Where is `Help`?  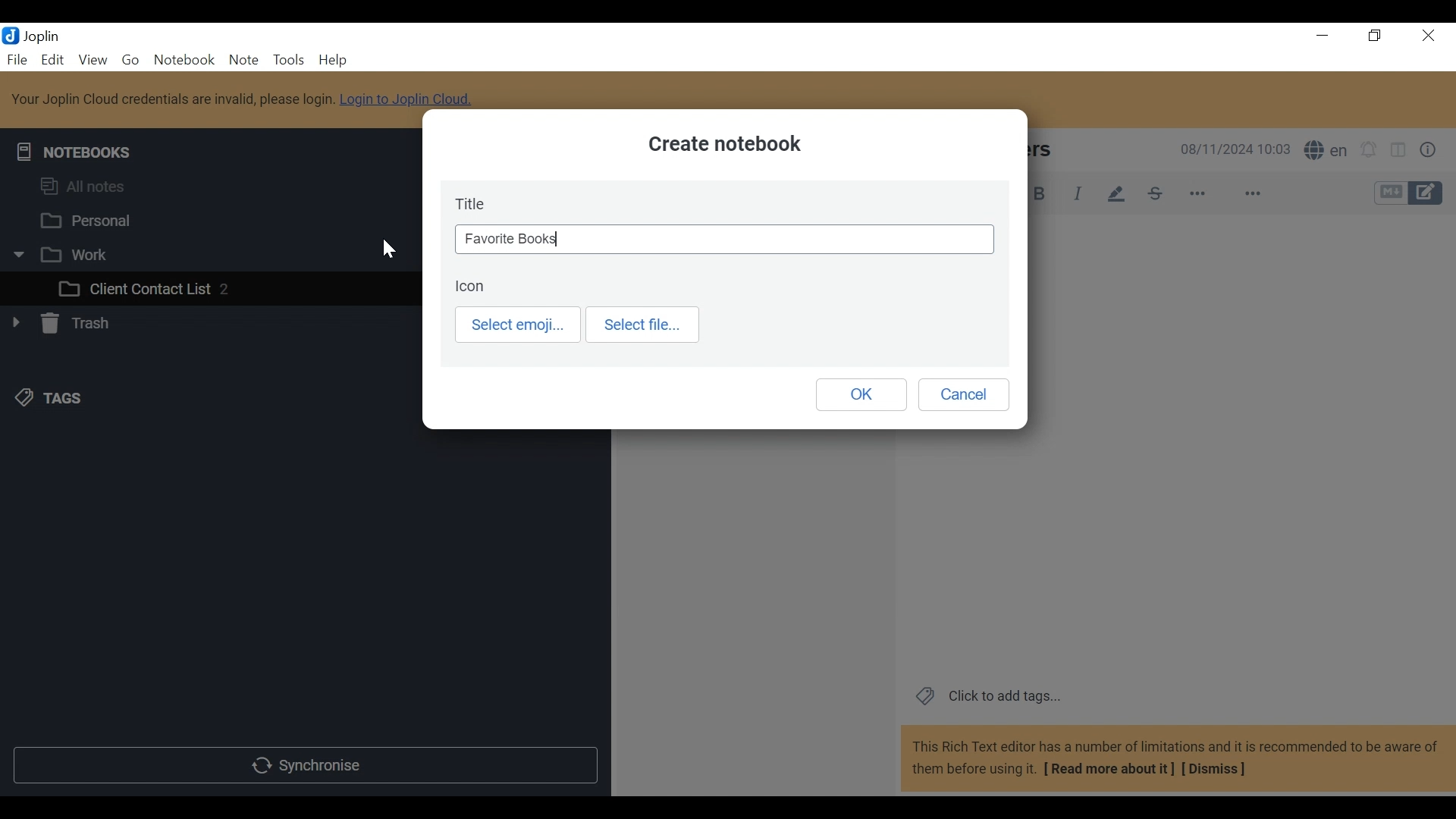
Help is located at coordinates (368, 52).